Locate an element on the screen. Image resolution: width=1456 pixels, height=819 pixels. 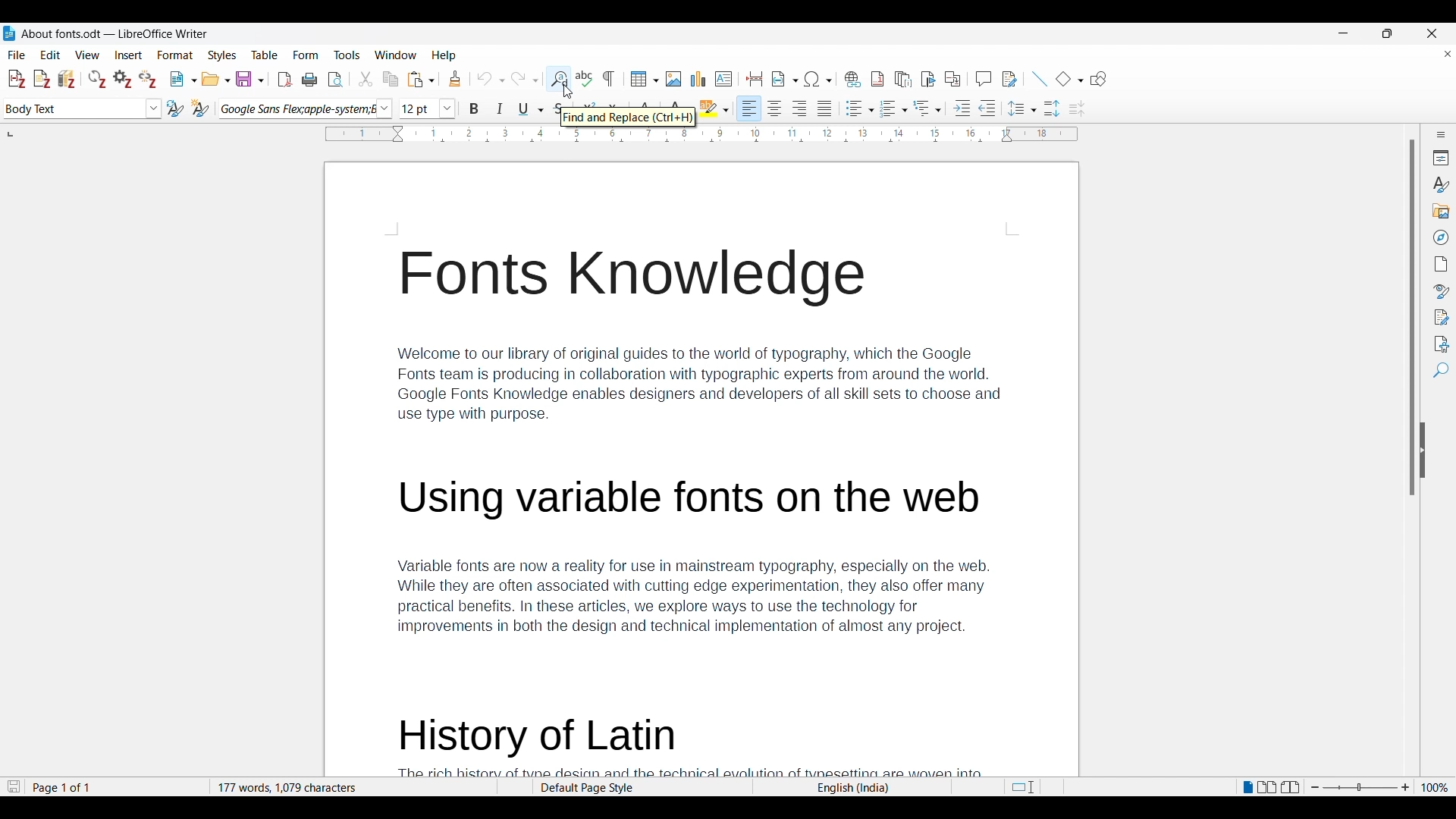
Description of current selection is located at coordinates (629, 117).